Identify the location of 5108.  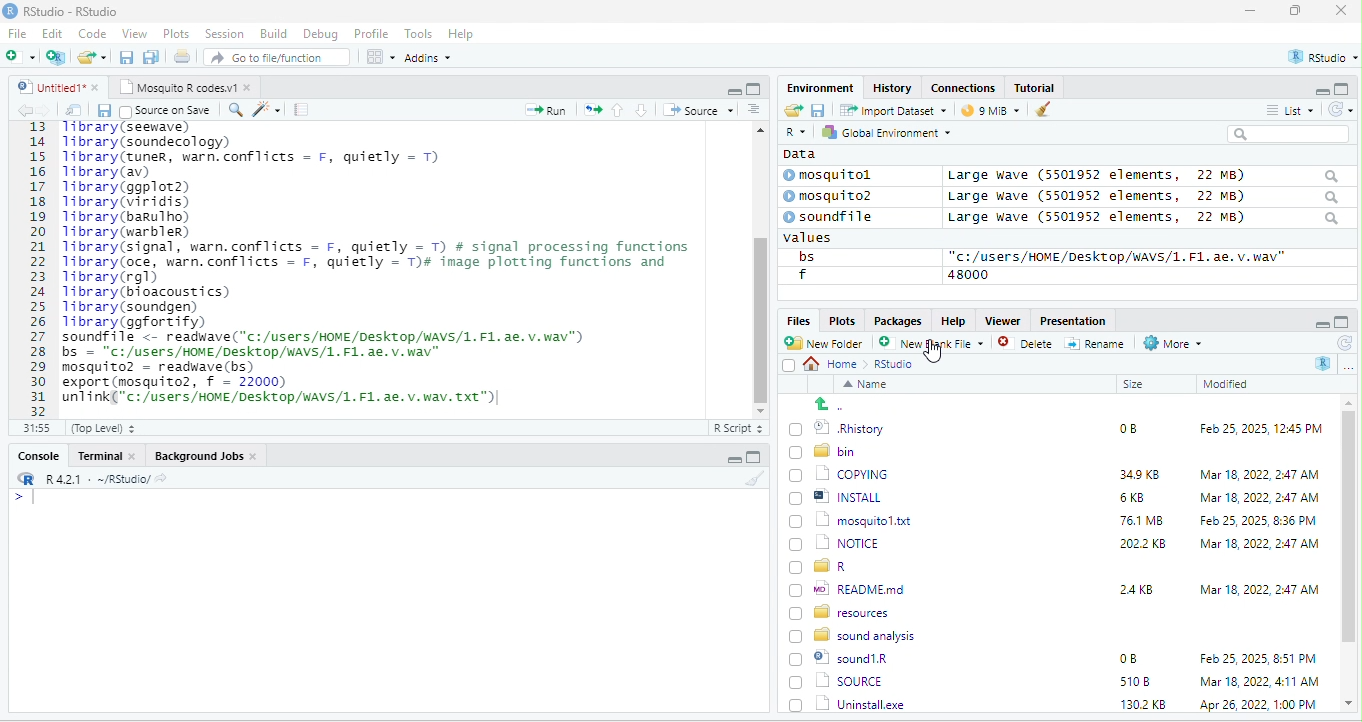
(1130, 680).